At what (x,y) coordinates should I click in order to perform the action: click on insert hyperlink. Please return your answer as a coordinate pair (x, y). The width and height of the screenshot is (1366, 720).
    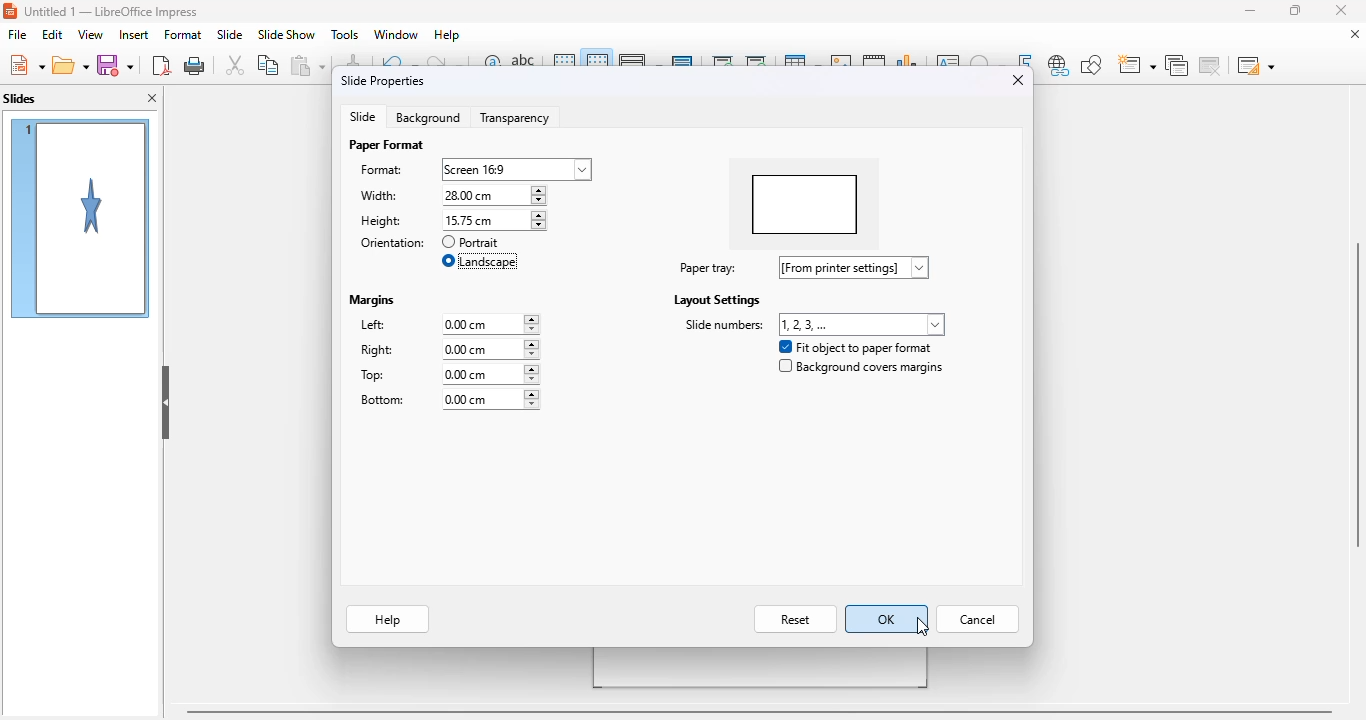
    Looking at the image, I should click on (1059, 66).